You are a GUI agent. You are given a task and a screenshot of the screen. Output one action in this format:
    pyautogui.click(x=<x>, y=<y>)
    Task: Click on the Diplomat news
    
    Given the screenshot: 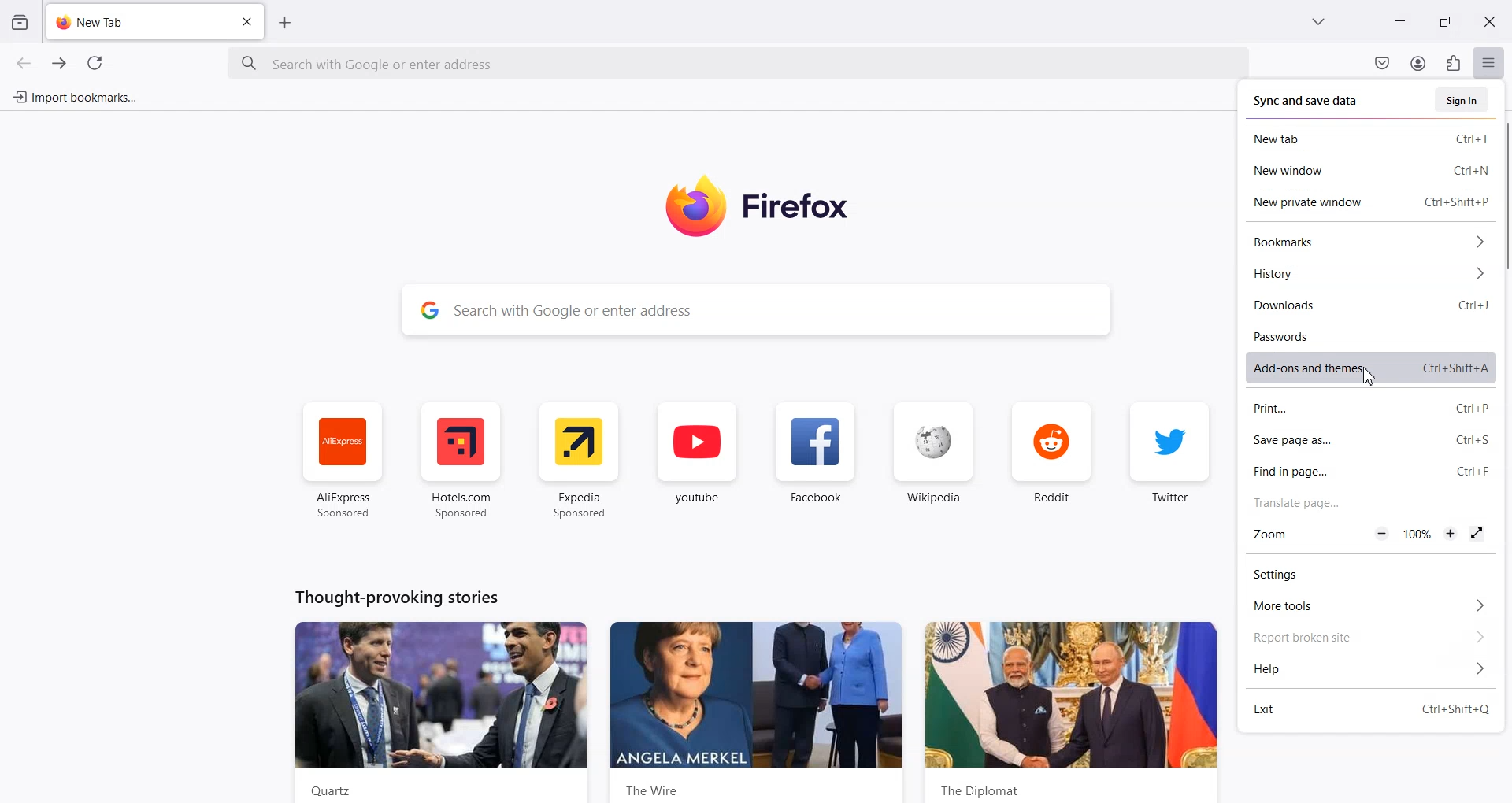 What is the action you would take?
    pyautogui.click(x=1073, y=707)
    